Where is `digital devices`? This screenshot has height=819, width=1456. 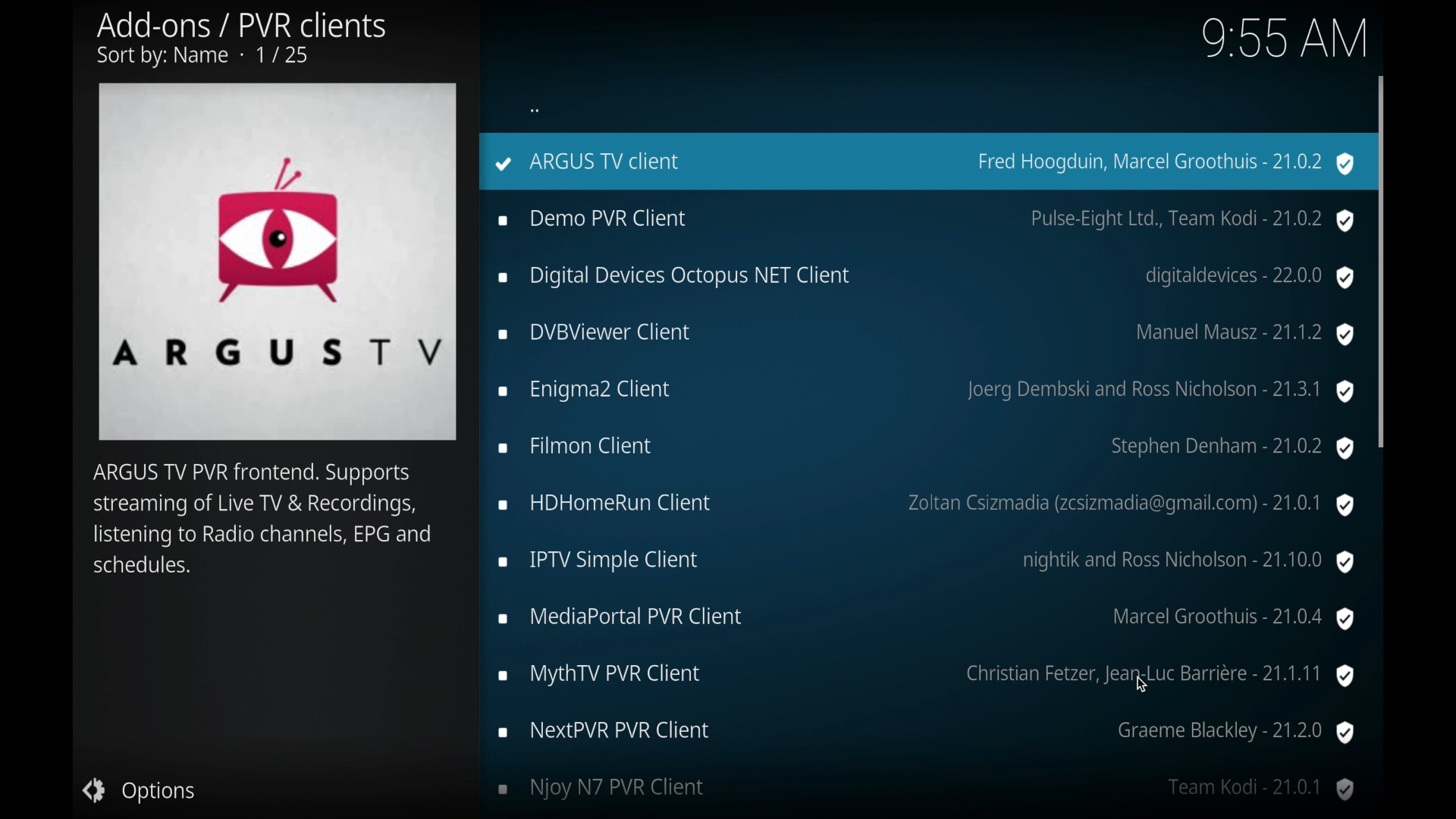 digital devices is located at coordinates (927, 278).